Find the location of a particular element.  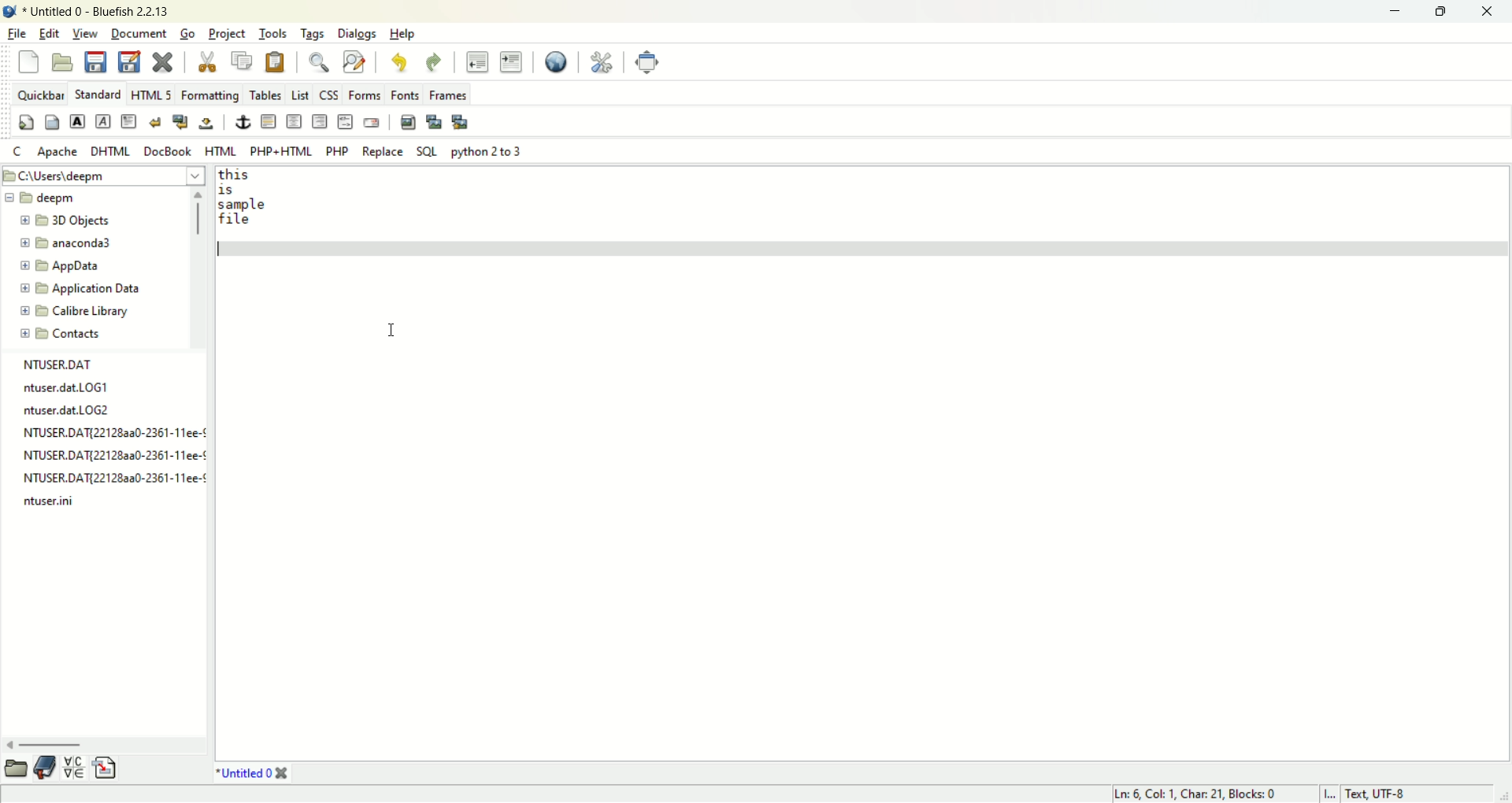

location is located at coordinates (102, 175).